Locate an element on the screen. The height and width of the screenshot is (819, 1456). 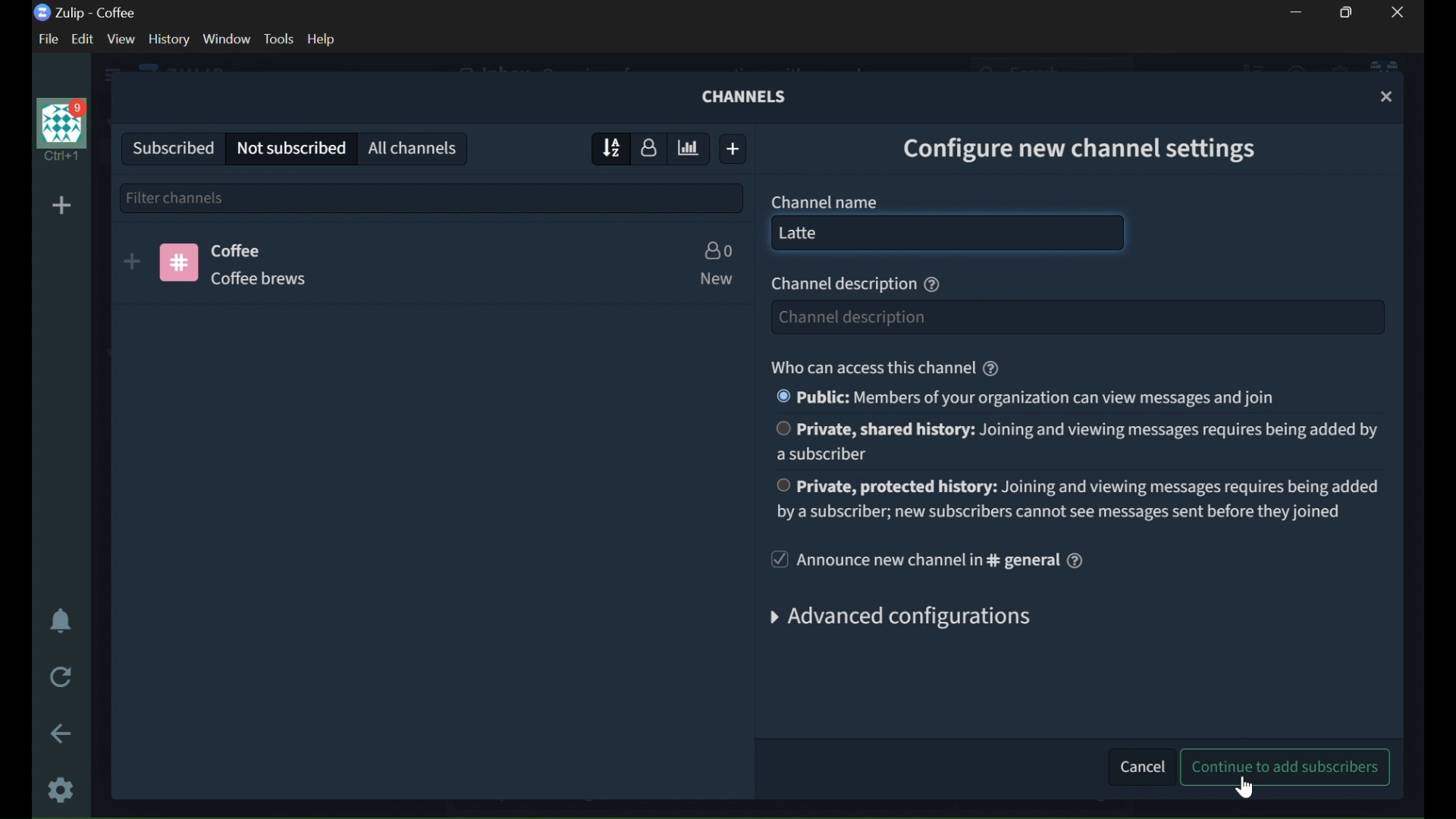
WINDOW is located at coordinates (227, 39).